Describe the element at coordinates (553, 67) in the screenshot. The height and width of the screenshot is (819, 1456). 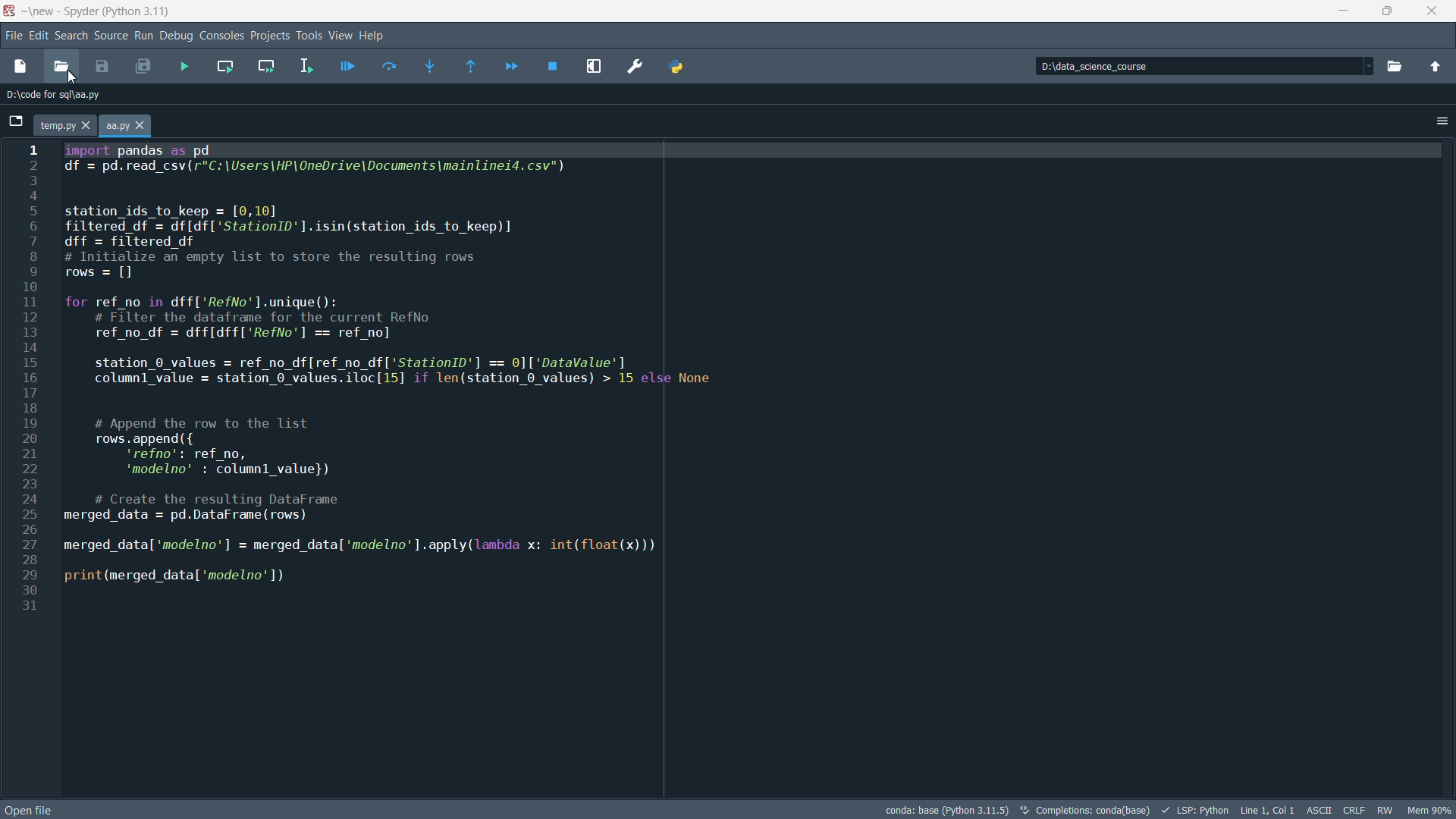
I see `stop debugging` at that location.